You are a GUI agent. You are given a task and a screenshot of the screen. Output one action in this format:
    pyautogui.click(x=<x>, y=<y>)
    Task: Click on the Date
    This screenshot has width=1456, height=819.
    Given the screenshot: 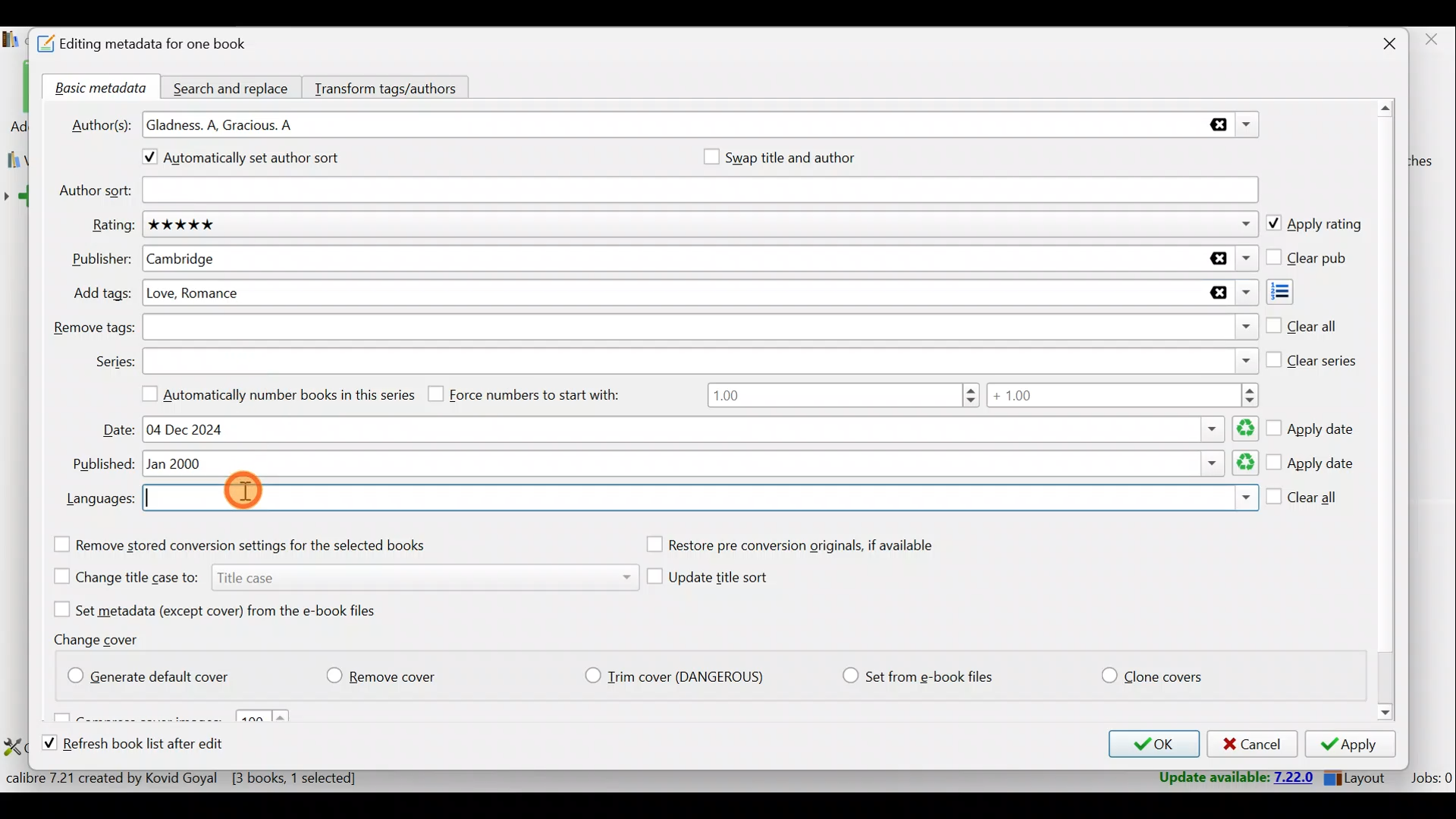 What is the action you would take?
    pyautogui.click(x=698, y=429)
    